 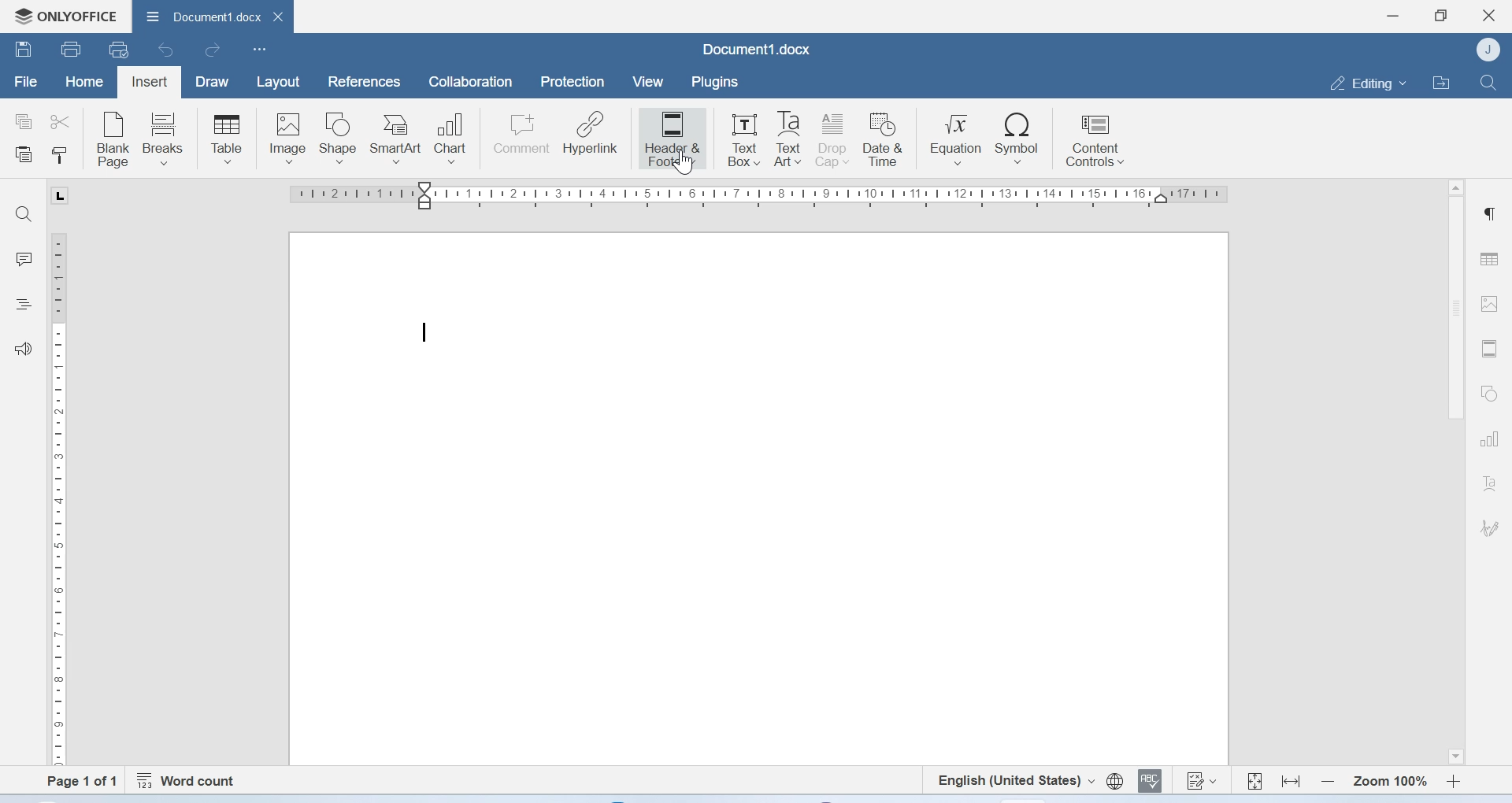 What do you see at coordinates (1016, 780) in the screenshot?
I see `Set text language` at bounding box center [1016, 780].